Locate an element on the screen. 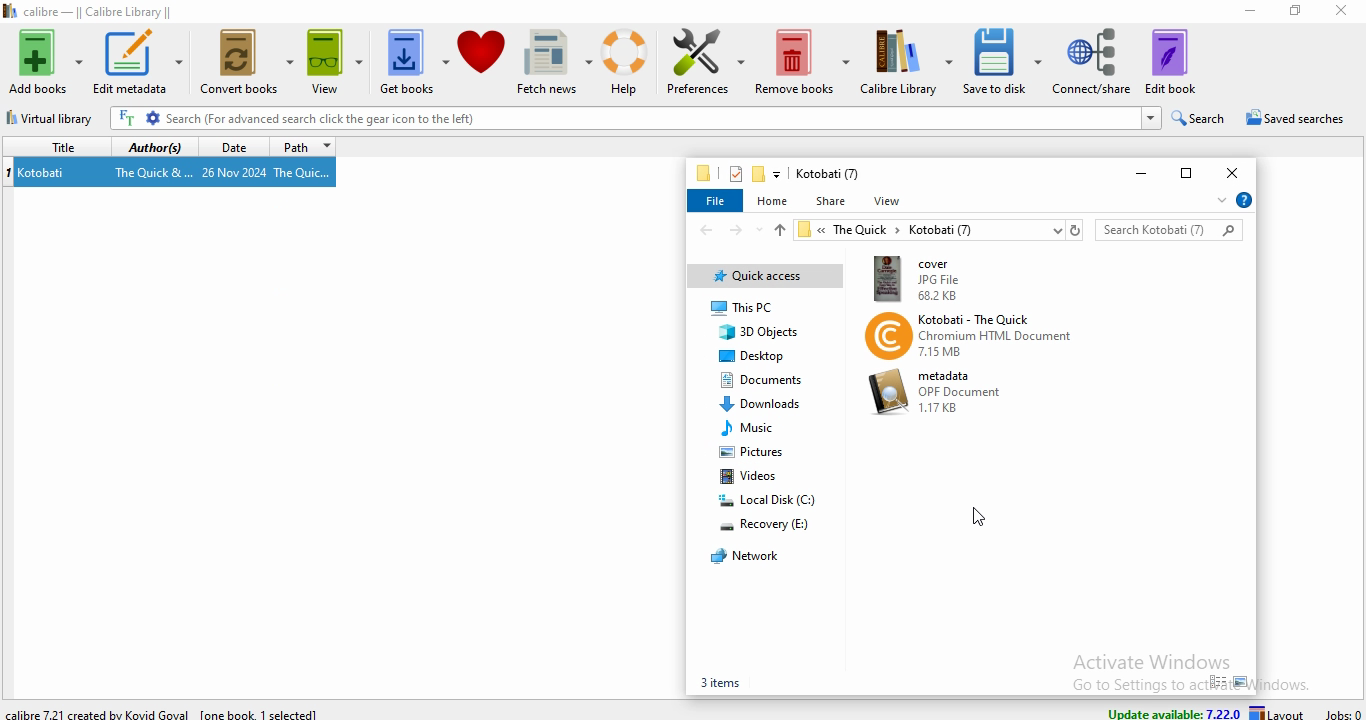  recovery (E:) is located at coordinates (766, 525).